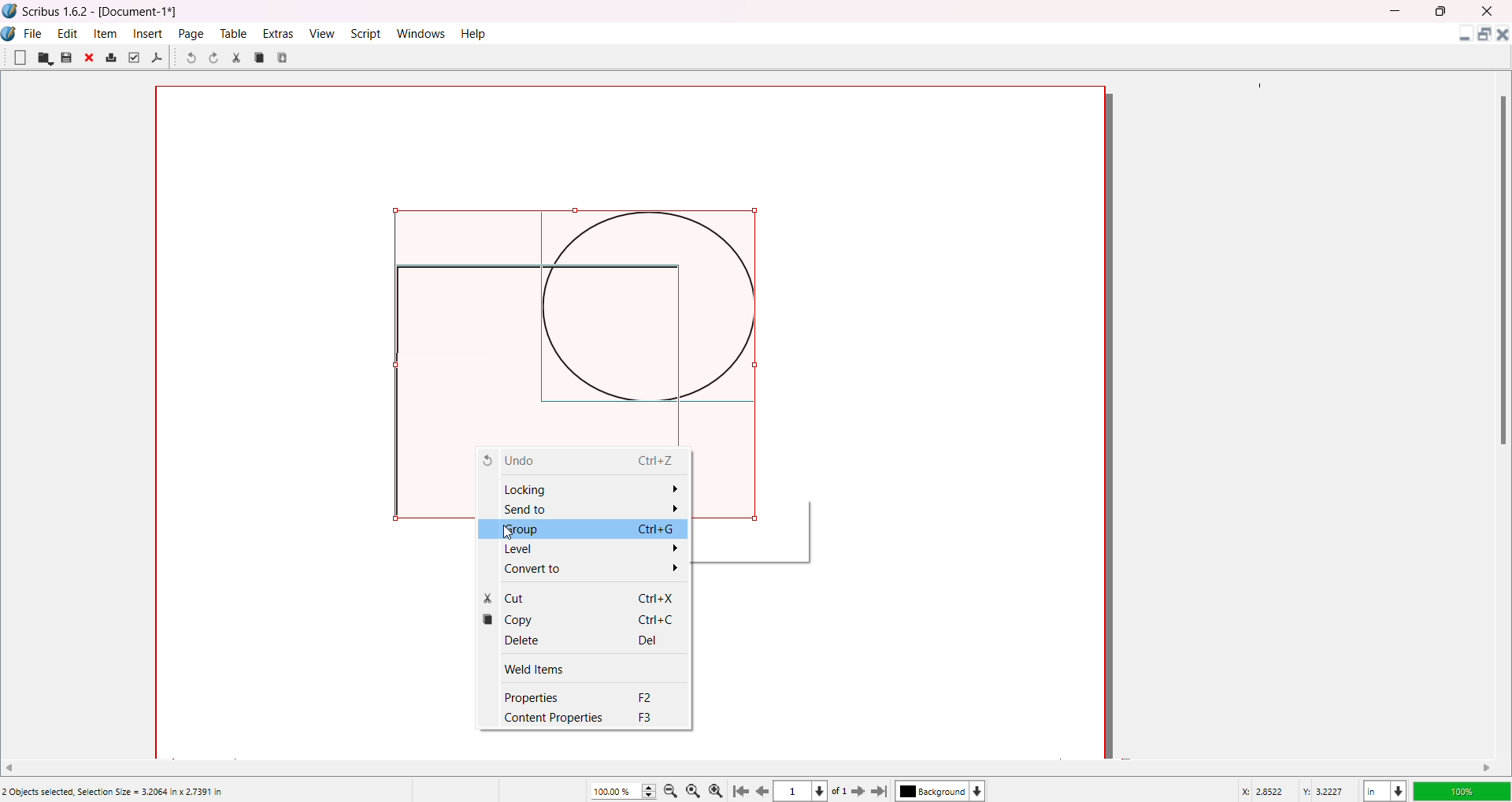  I want to click on Delete, so click(576, 640).